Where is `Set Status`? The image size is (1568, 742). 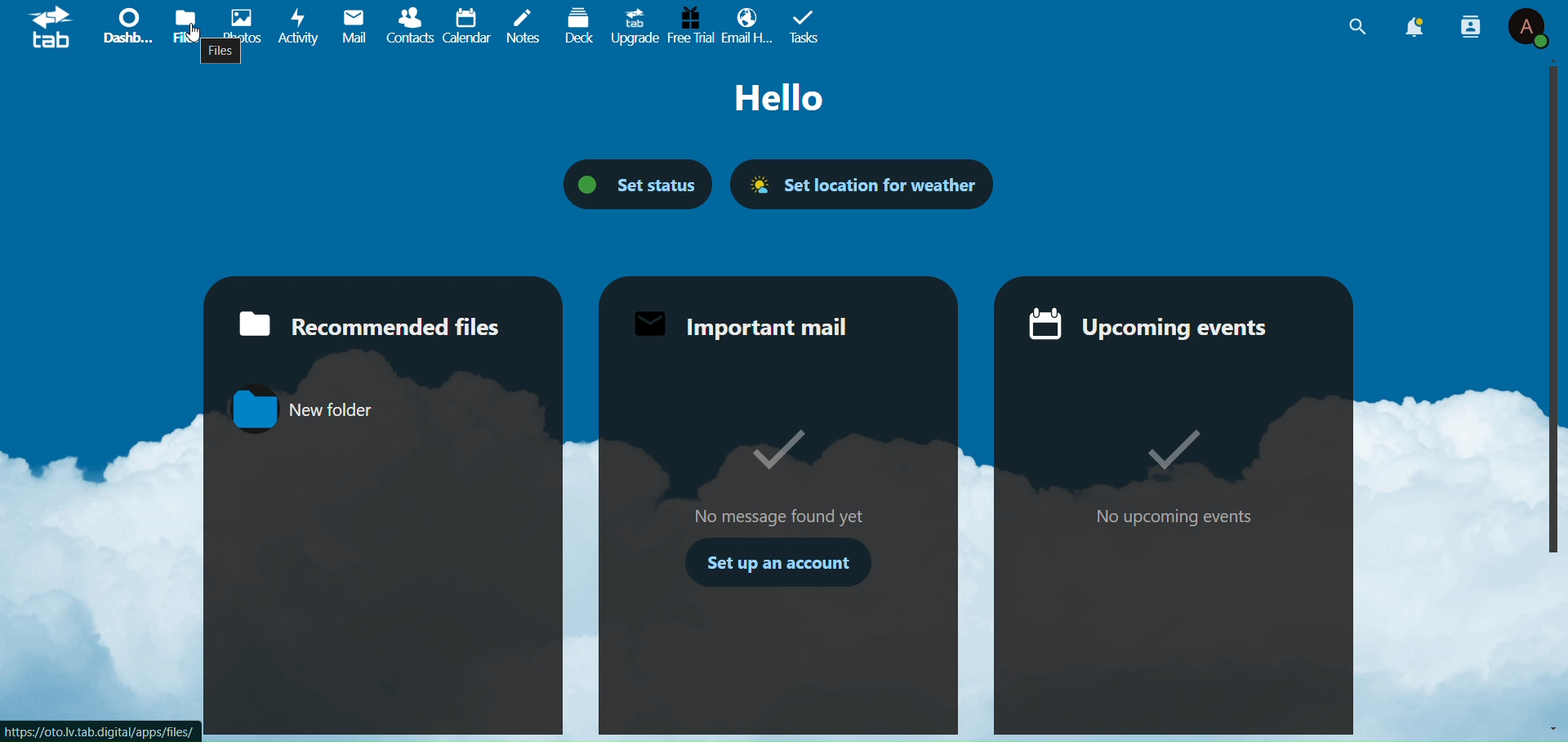
Set Status is located at coordinates (640, 182).